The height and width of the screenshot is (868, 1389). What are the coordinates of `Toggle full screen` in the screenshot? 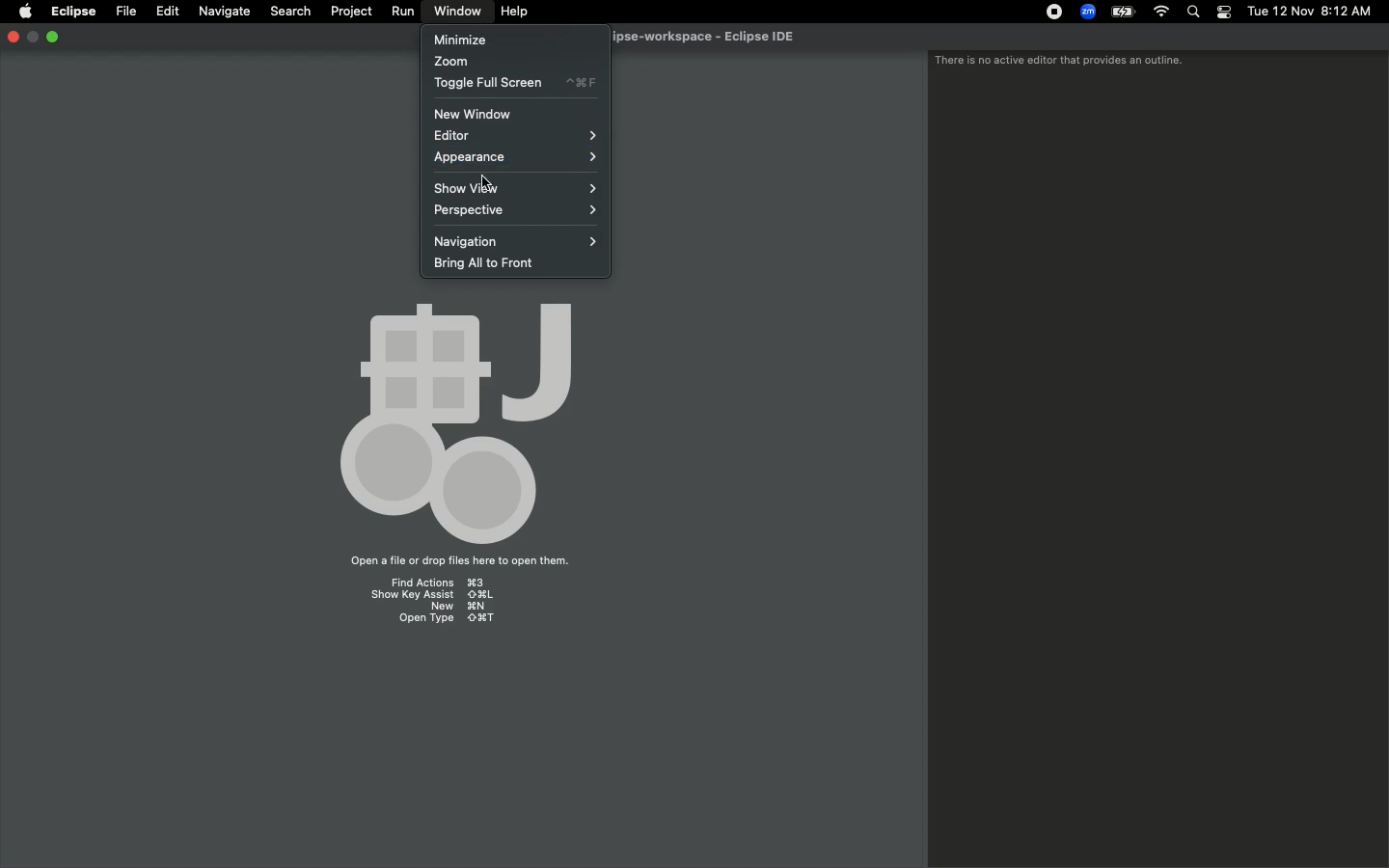 It's located at (512, 84).